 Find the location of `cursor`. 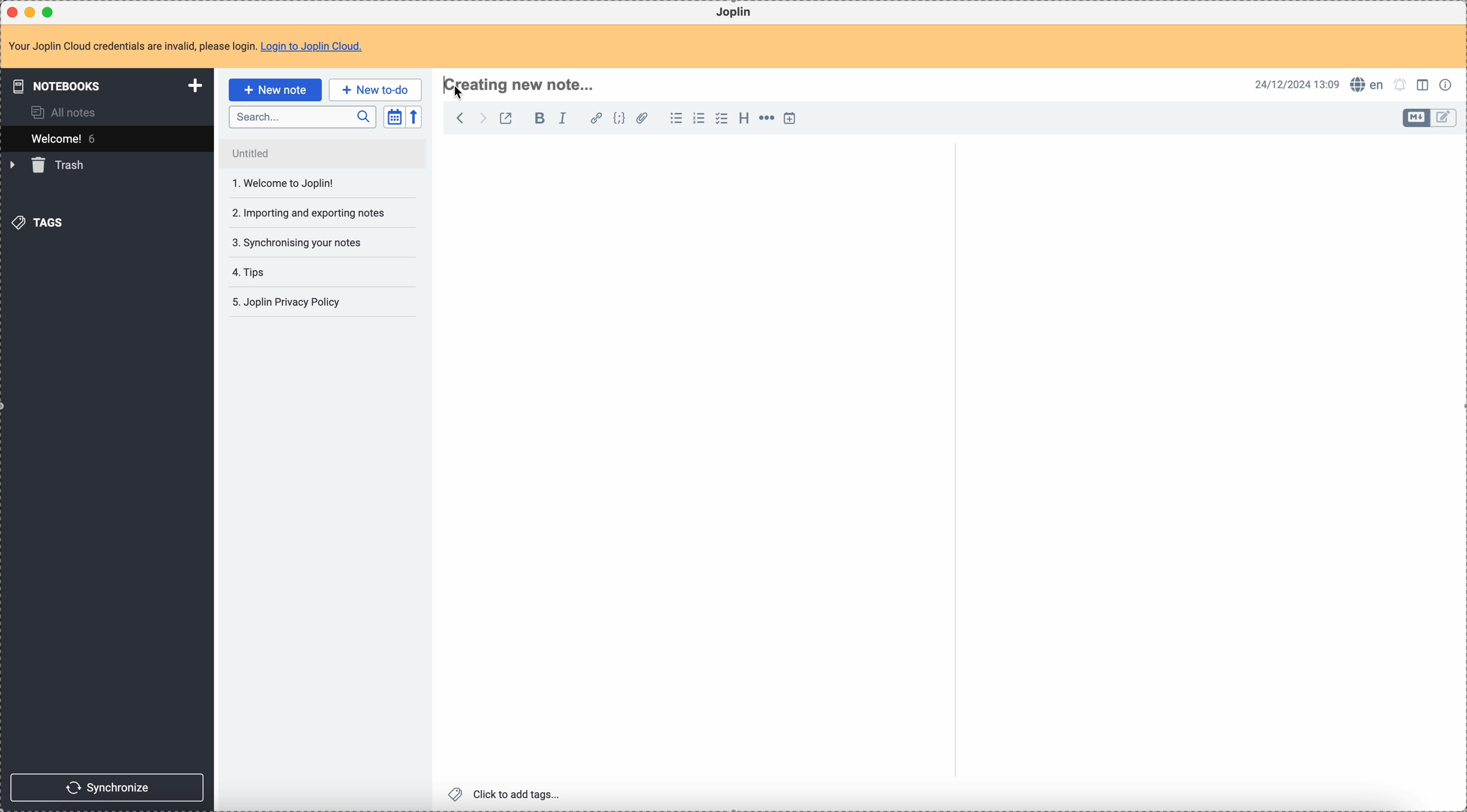

cursor is located at coordinates (460, 93).